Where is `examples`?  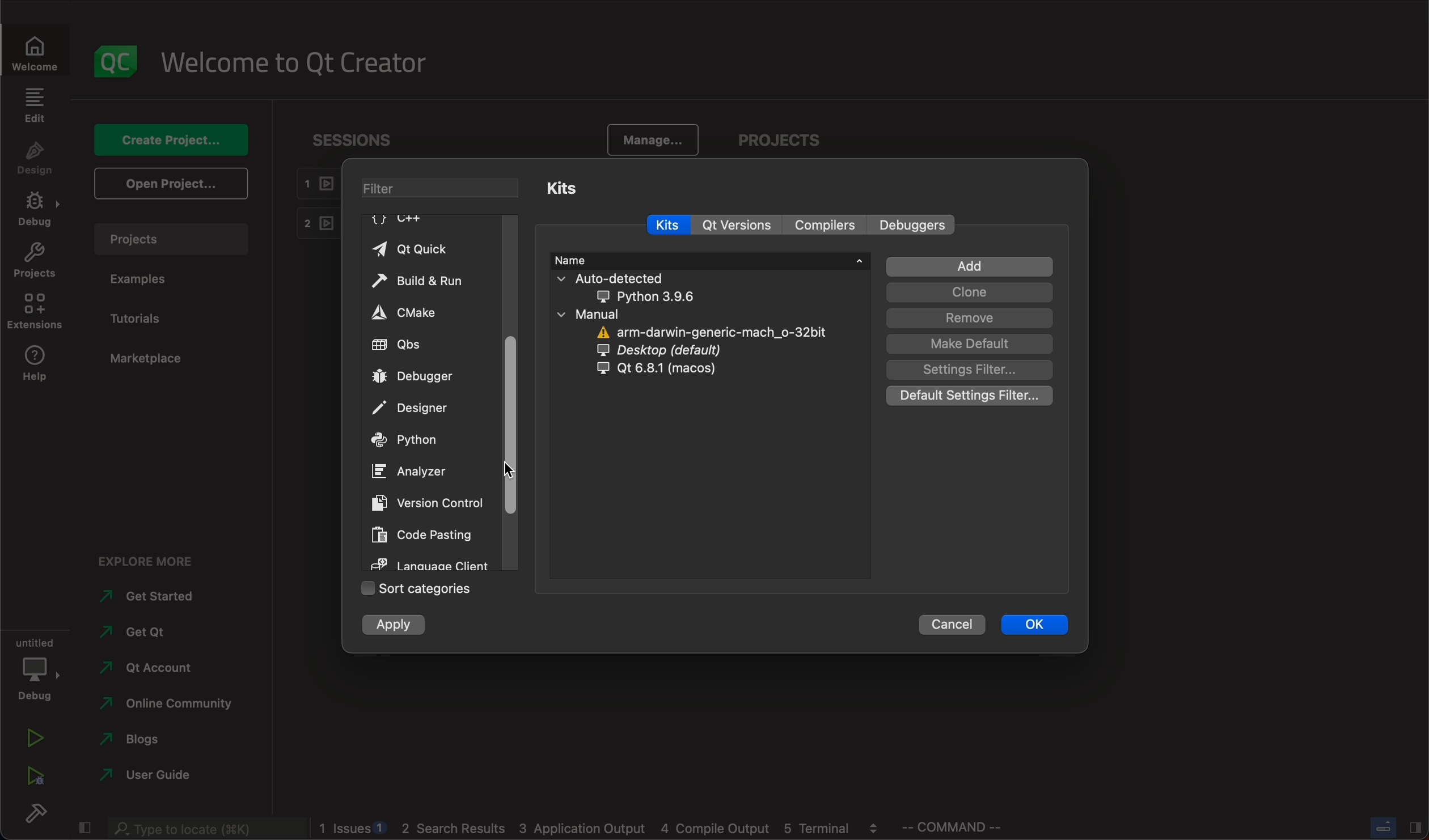
examples is located at coordinates (142, 282).